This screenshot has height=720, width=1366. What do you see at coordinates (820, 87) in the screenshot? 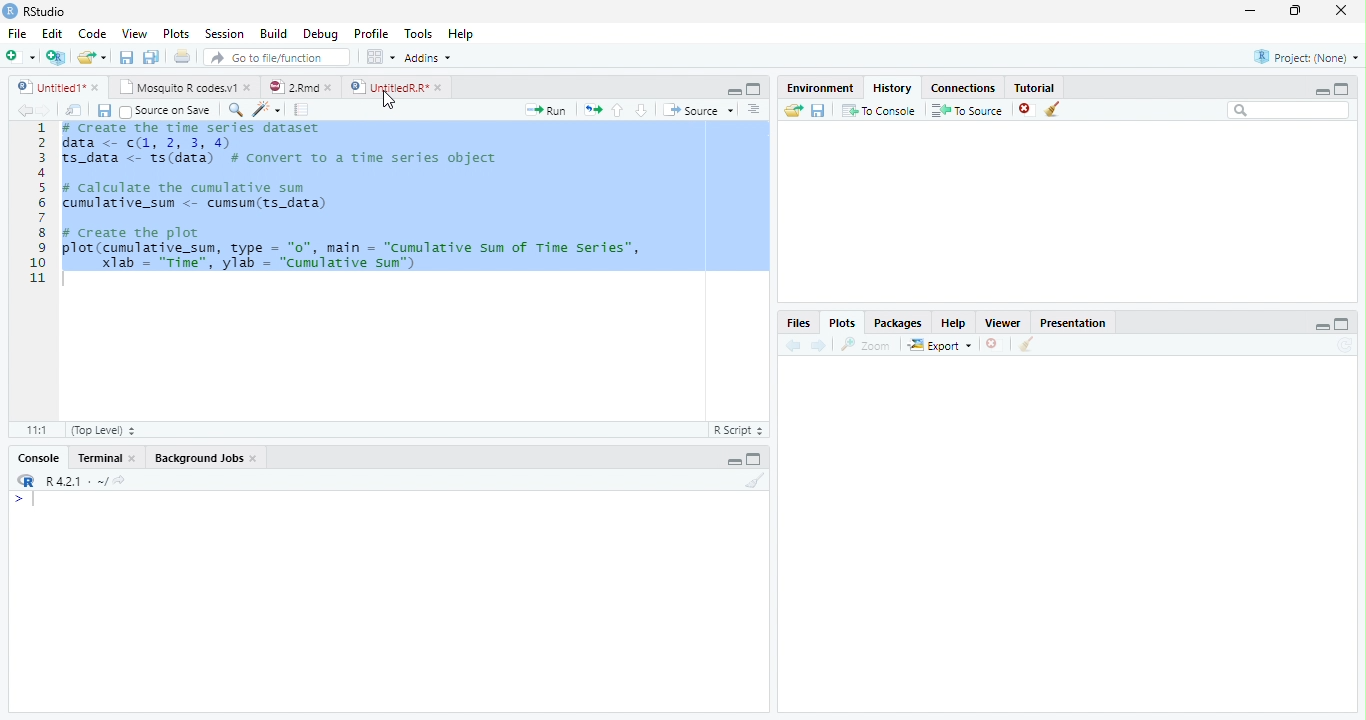
I see `Environment` at bounding box center [820, 87].